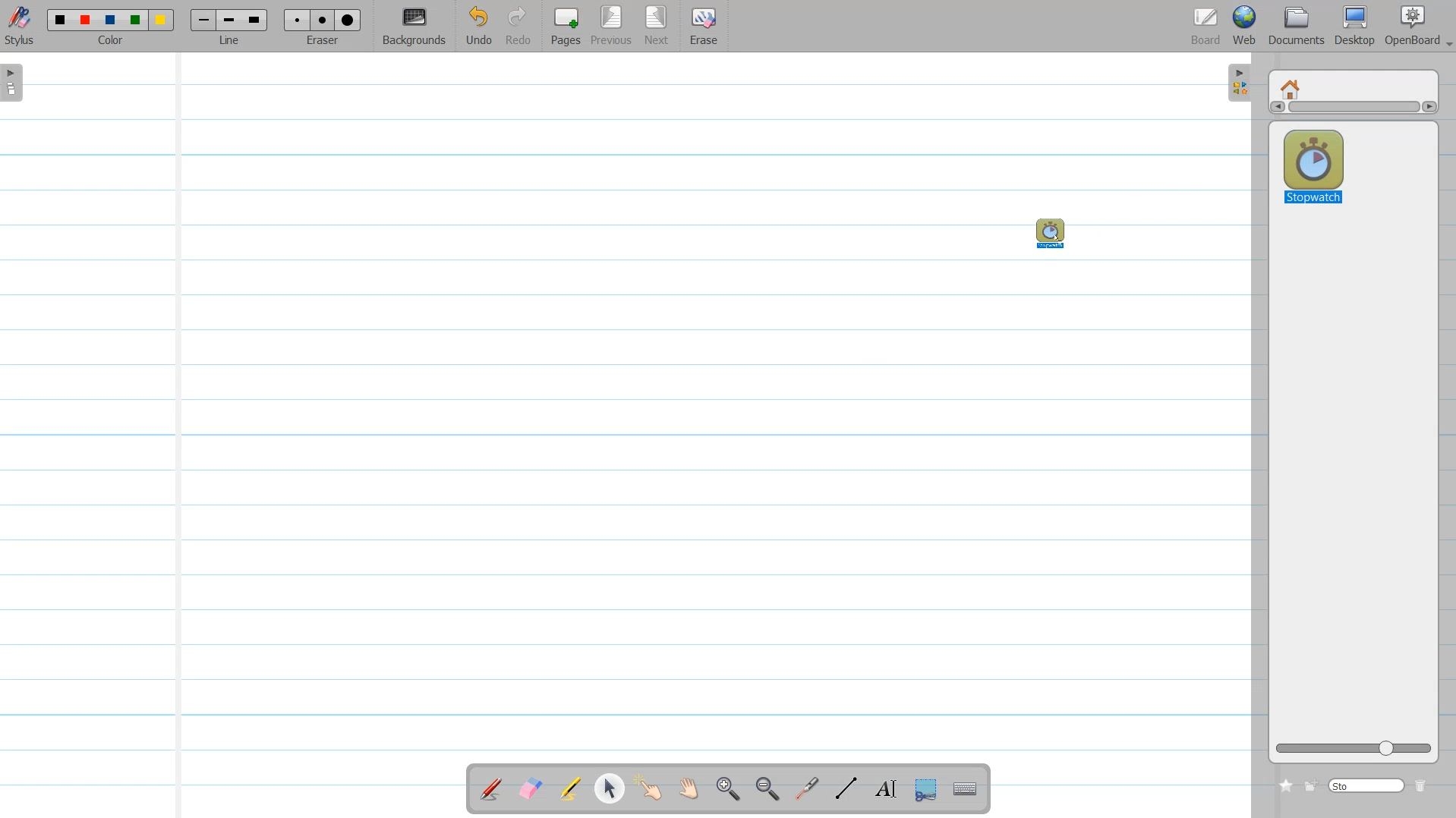 Image resolution: width=1456 pixels, height=818 pixels. I want to click on Capture part of the Screen, so click(928, 790).